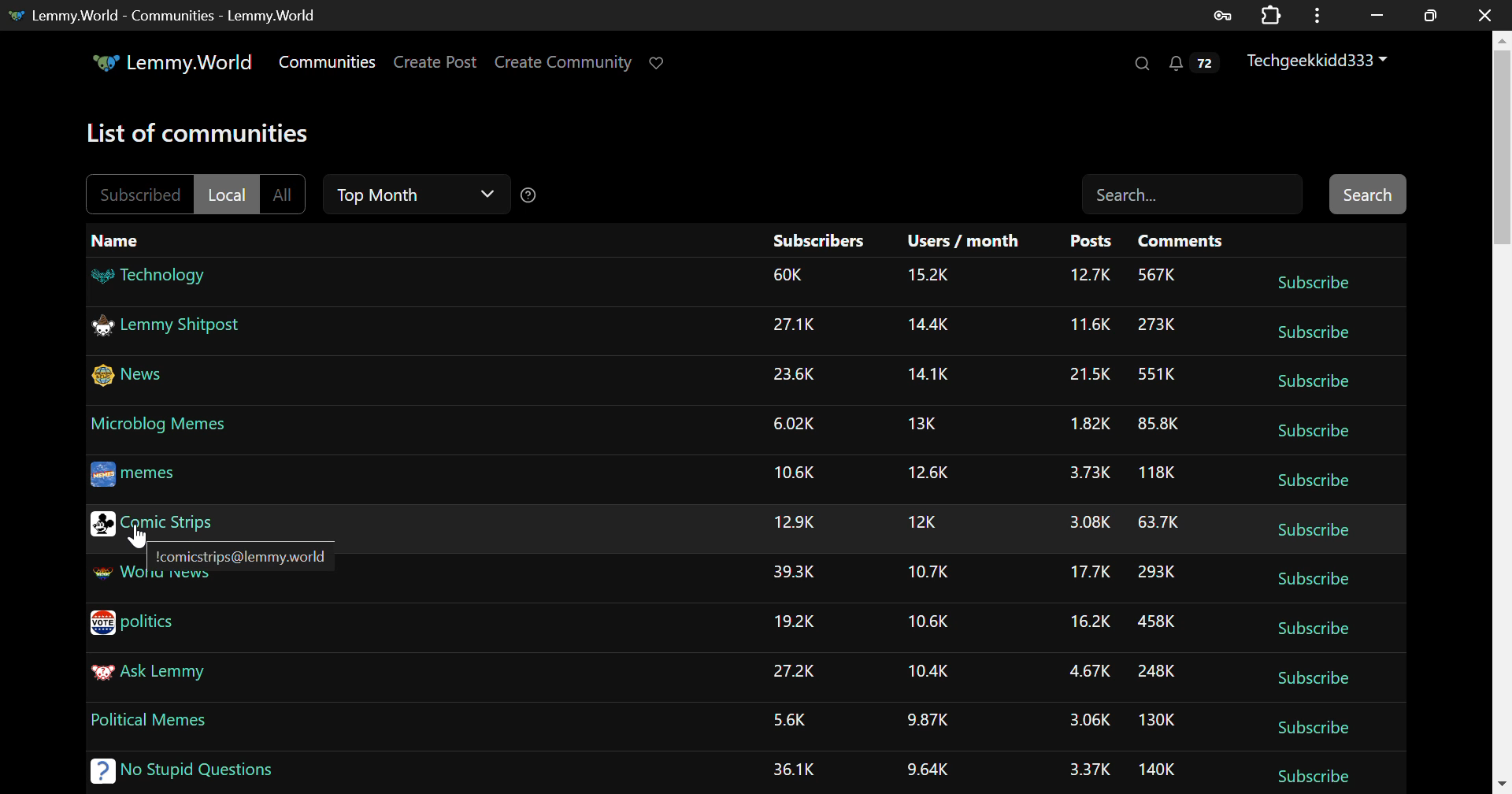 Image resolution: width=1512 pixels, height=794 pixels. I want to click on Subscribe, so click(1317, 677).